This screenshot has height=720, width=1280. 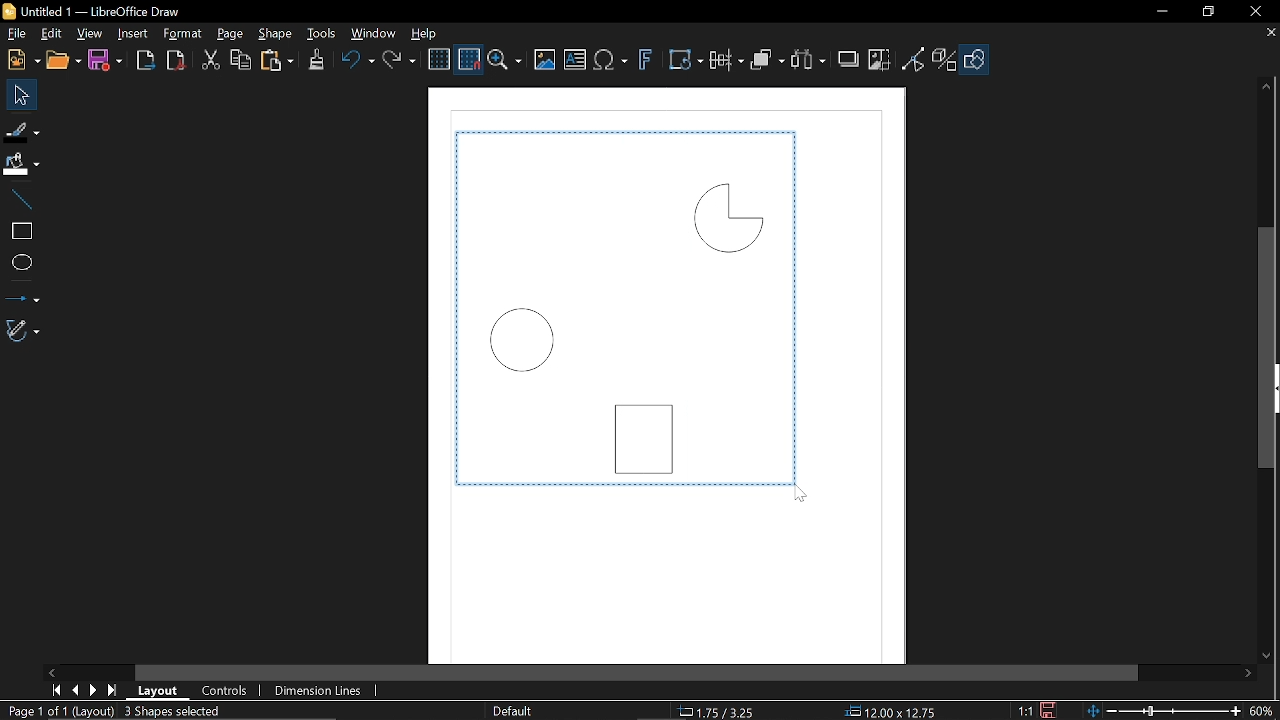 I want to click on Insert Fontwork, so click(x=646, y=62).